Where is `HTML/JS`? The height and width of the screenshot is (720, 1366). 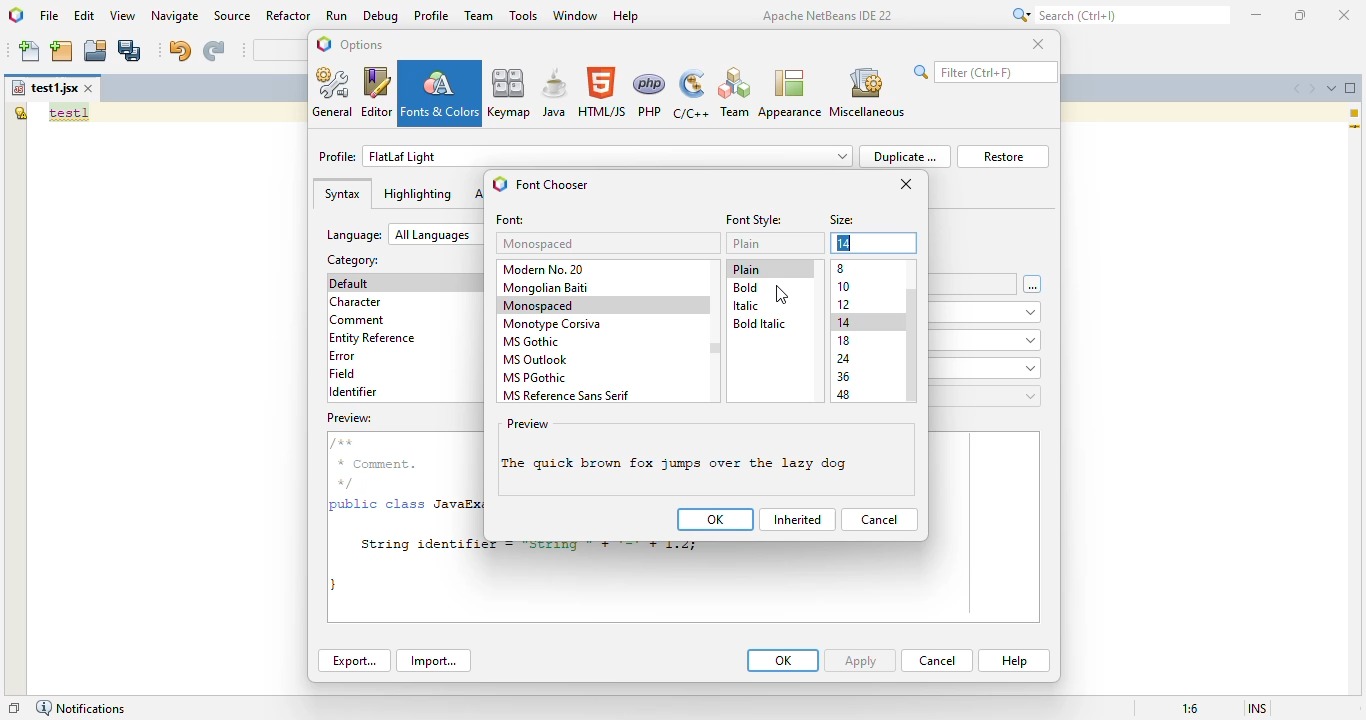 HTML/JS is located at coordinates (603, 92).